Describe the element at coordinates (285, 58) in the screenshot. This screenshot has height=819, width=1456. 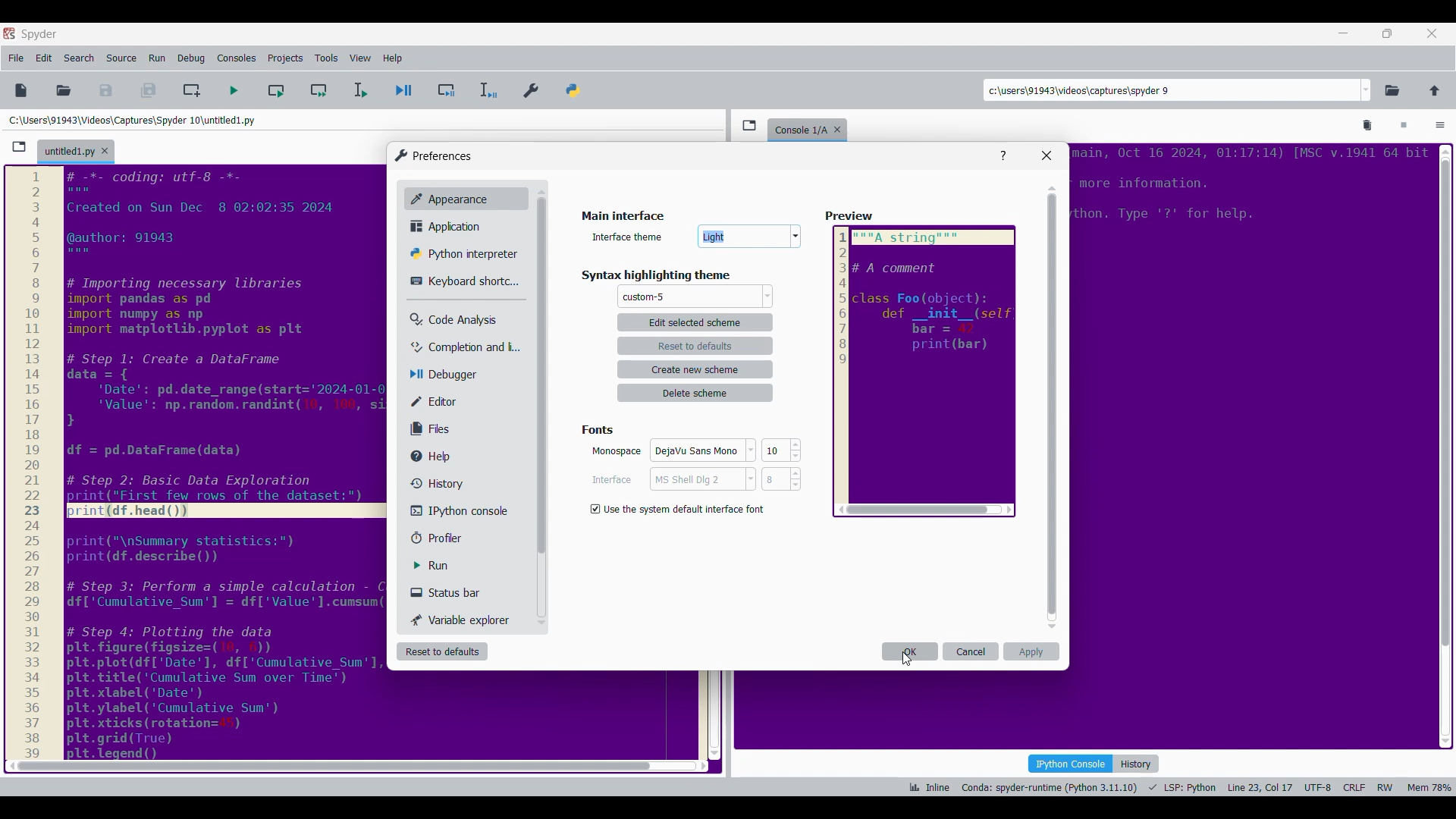
I see `Projects menu` at that location.